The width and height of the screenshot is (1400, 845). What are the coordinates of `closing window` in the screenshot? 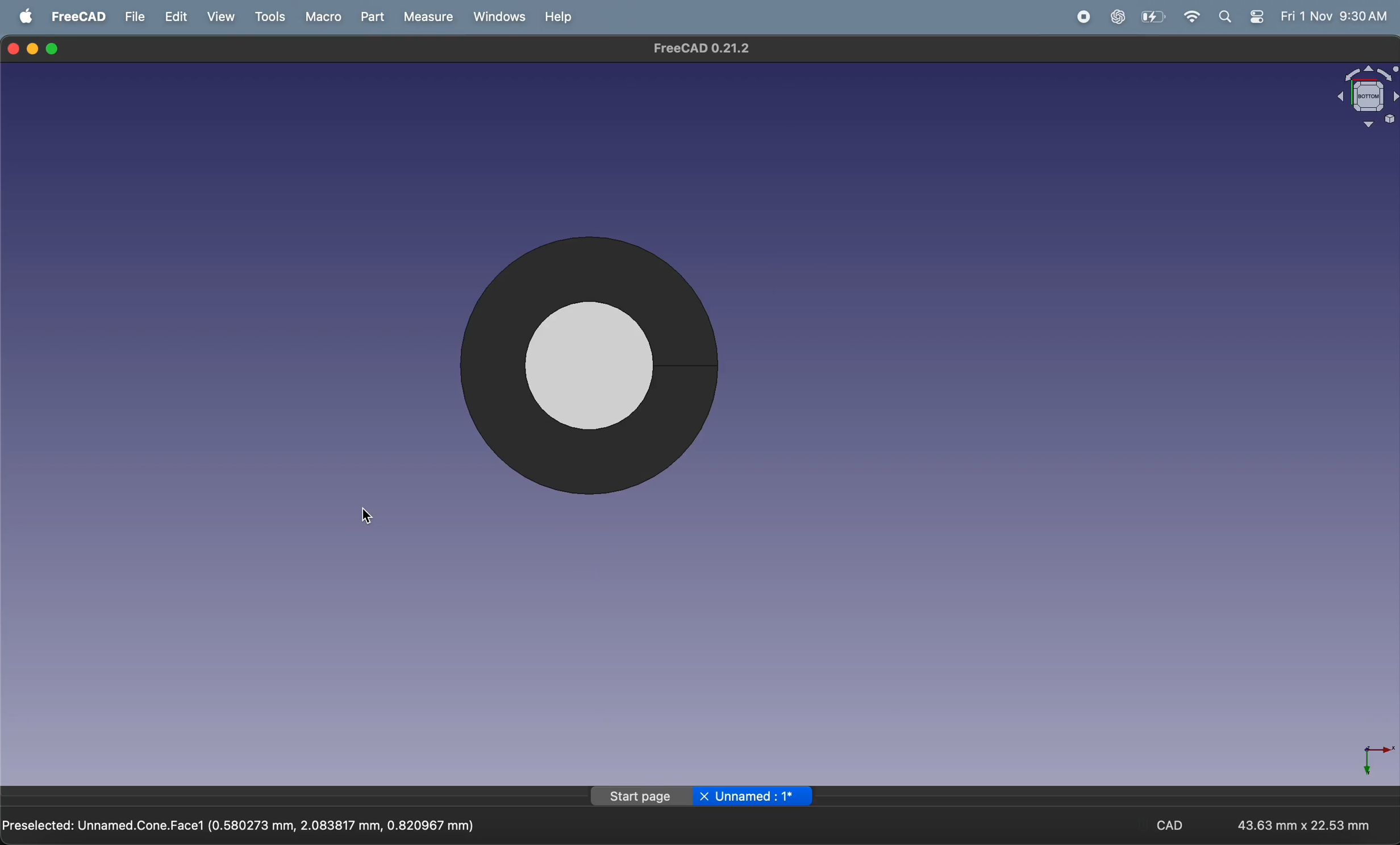 It's located at (14, 48).